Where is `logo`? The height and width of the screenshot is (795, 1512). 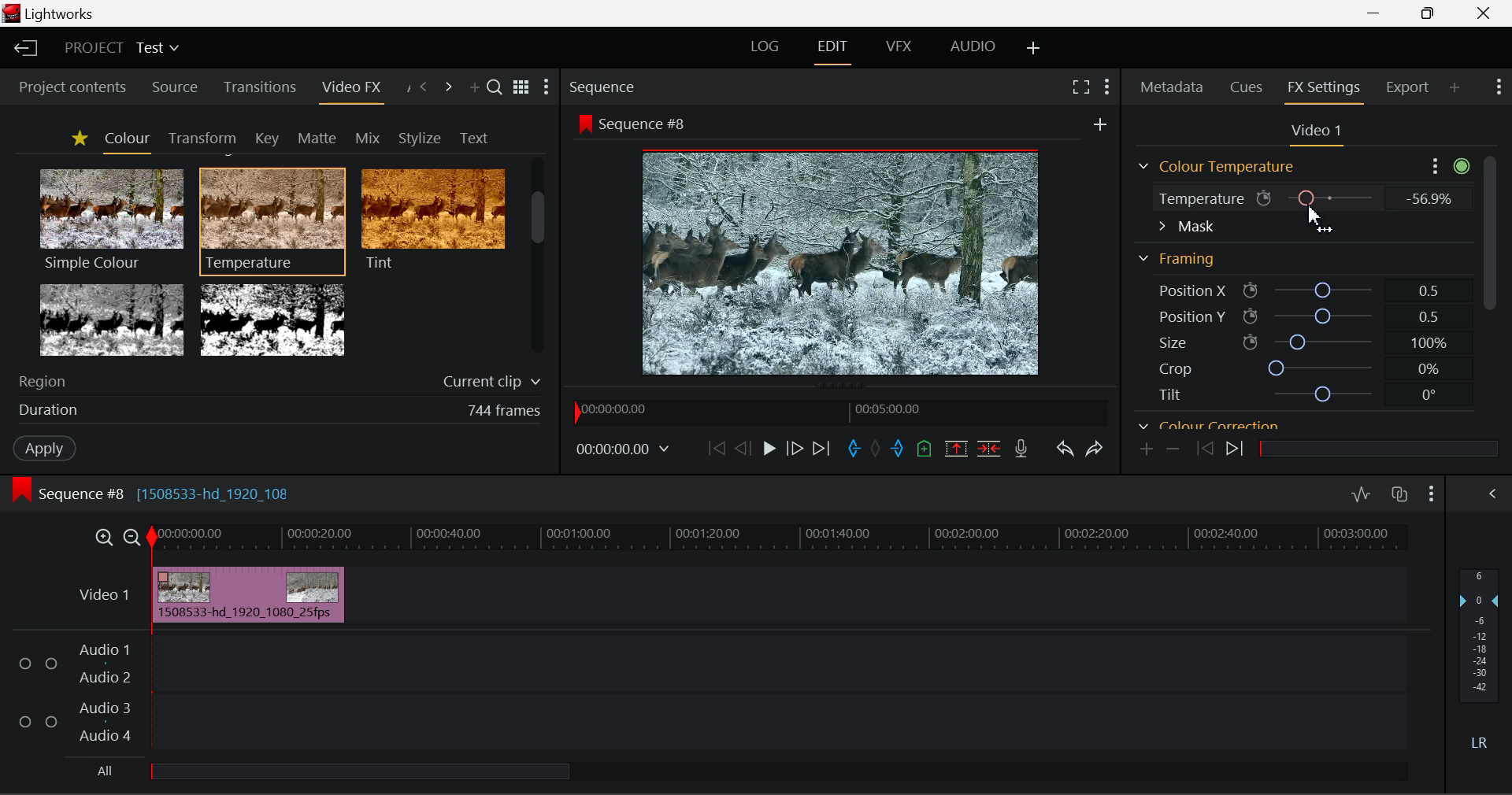 logo is located at coordinates (11, 13).